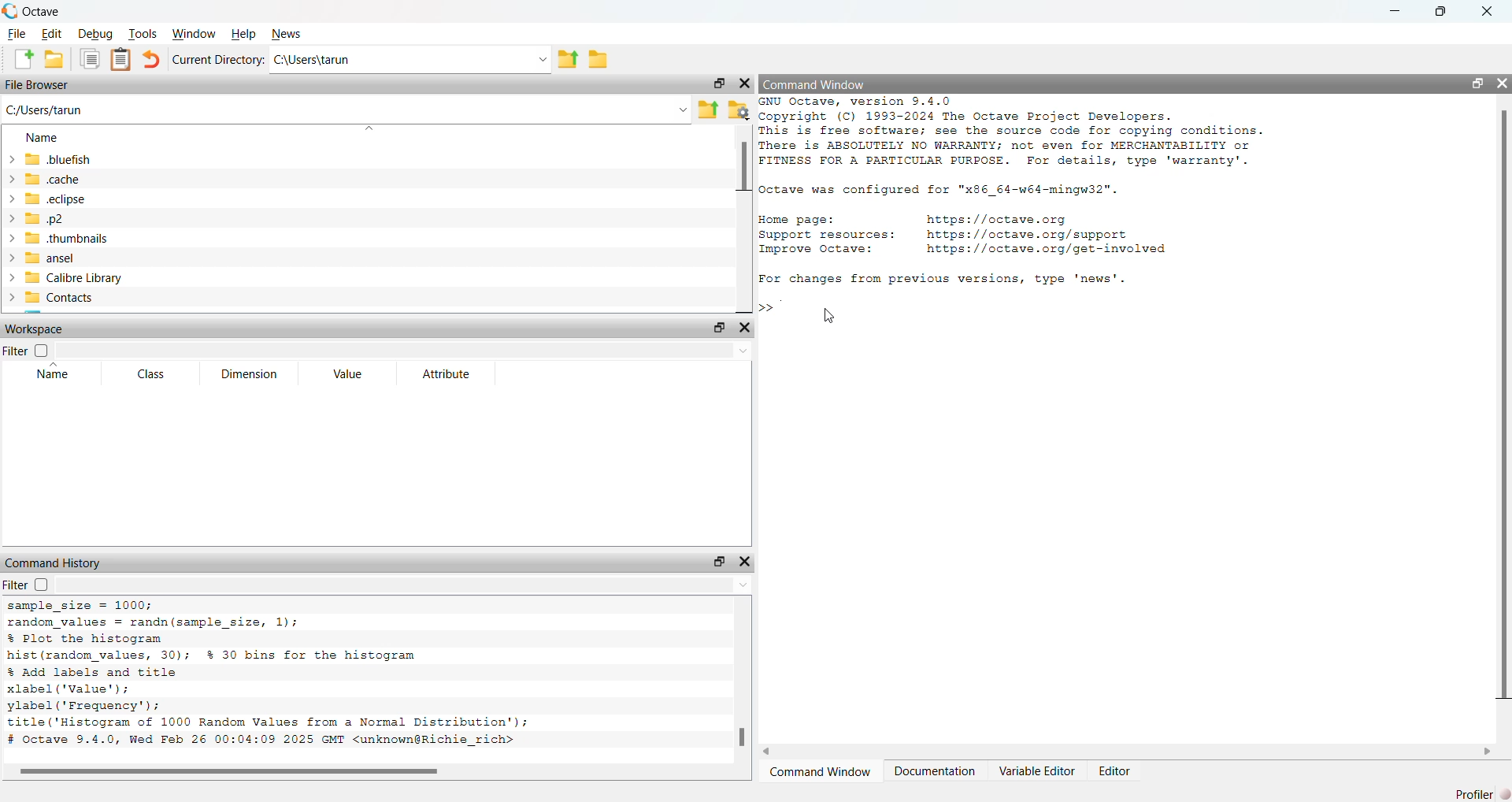 Image resolution: width=1512 pixels, height=802 pixels. What do you see at coordinates (313, 61) in the screenshot?
I see `C:\Users\tarun` at bounding box center [313, 61].